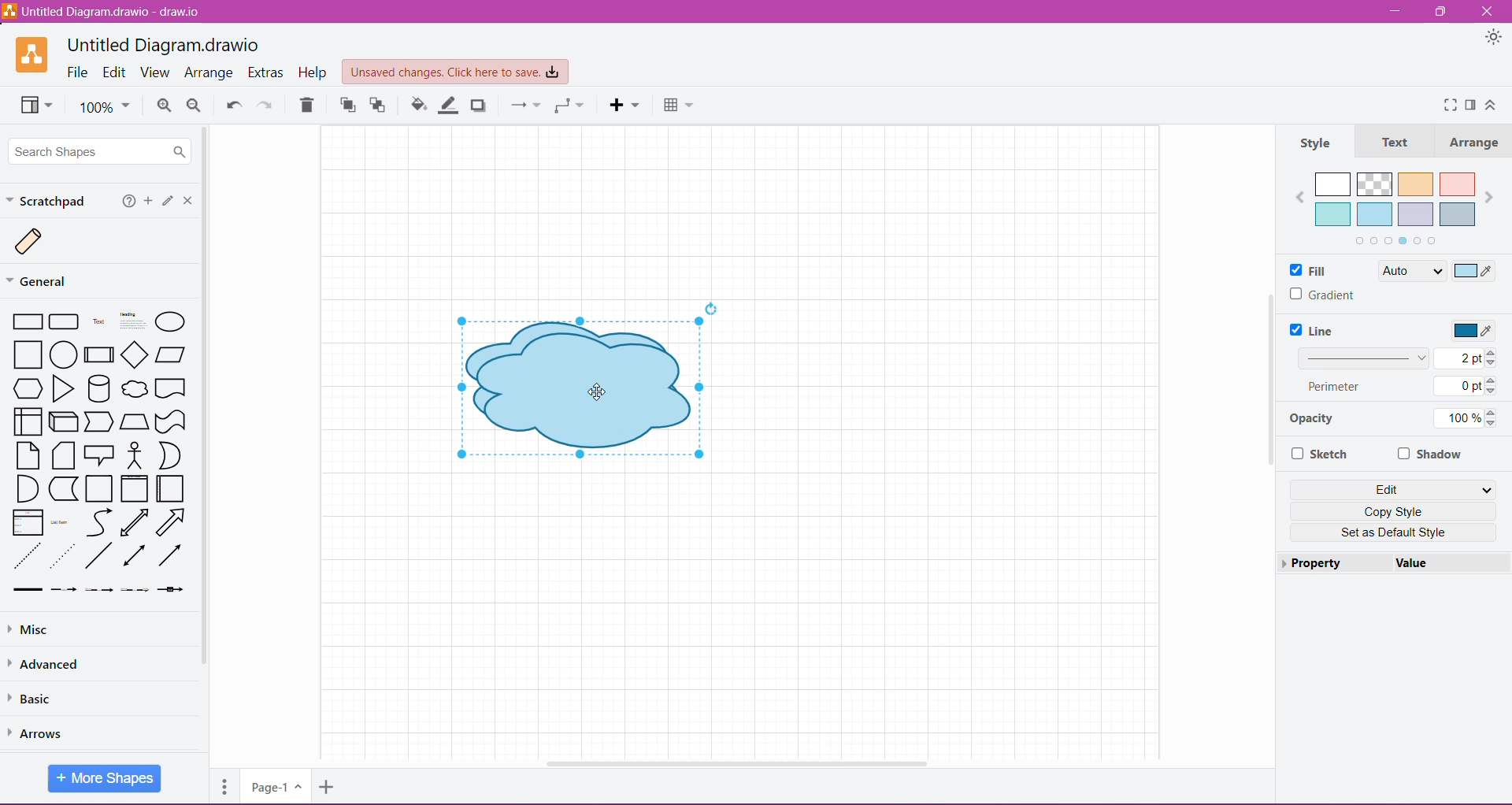 The image size is (1512, 805). What do you see at coordinates (1325, 295) in the screenshot?
I see `Gradient` at bounding box center [1325, 295].